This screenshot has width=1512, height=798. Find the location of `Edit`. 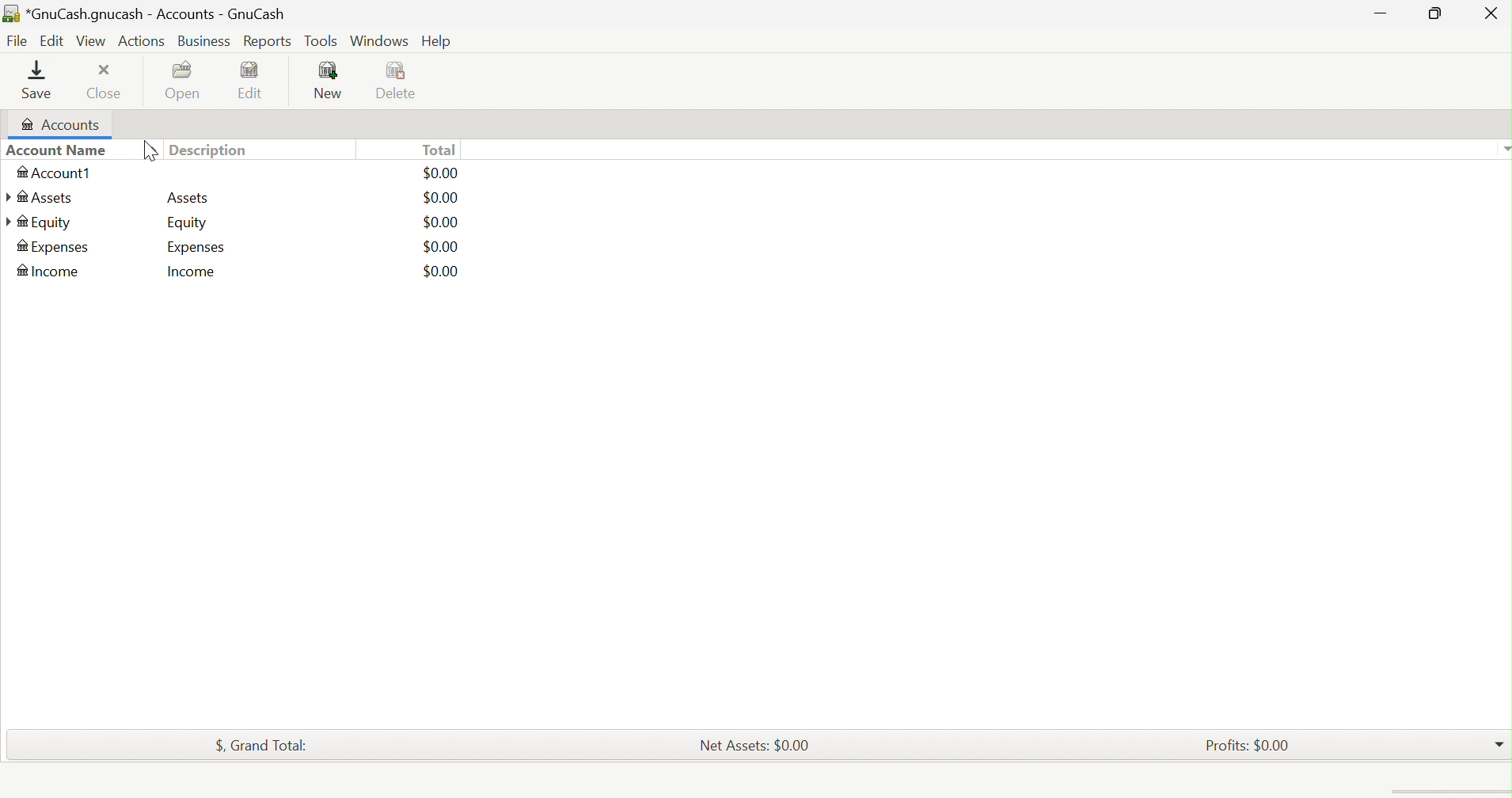

Edit is located at coordinates (50, 40).